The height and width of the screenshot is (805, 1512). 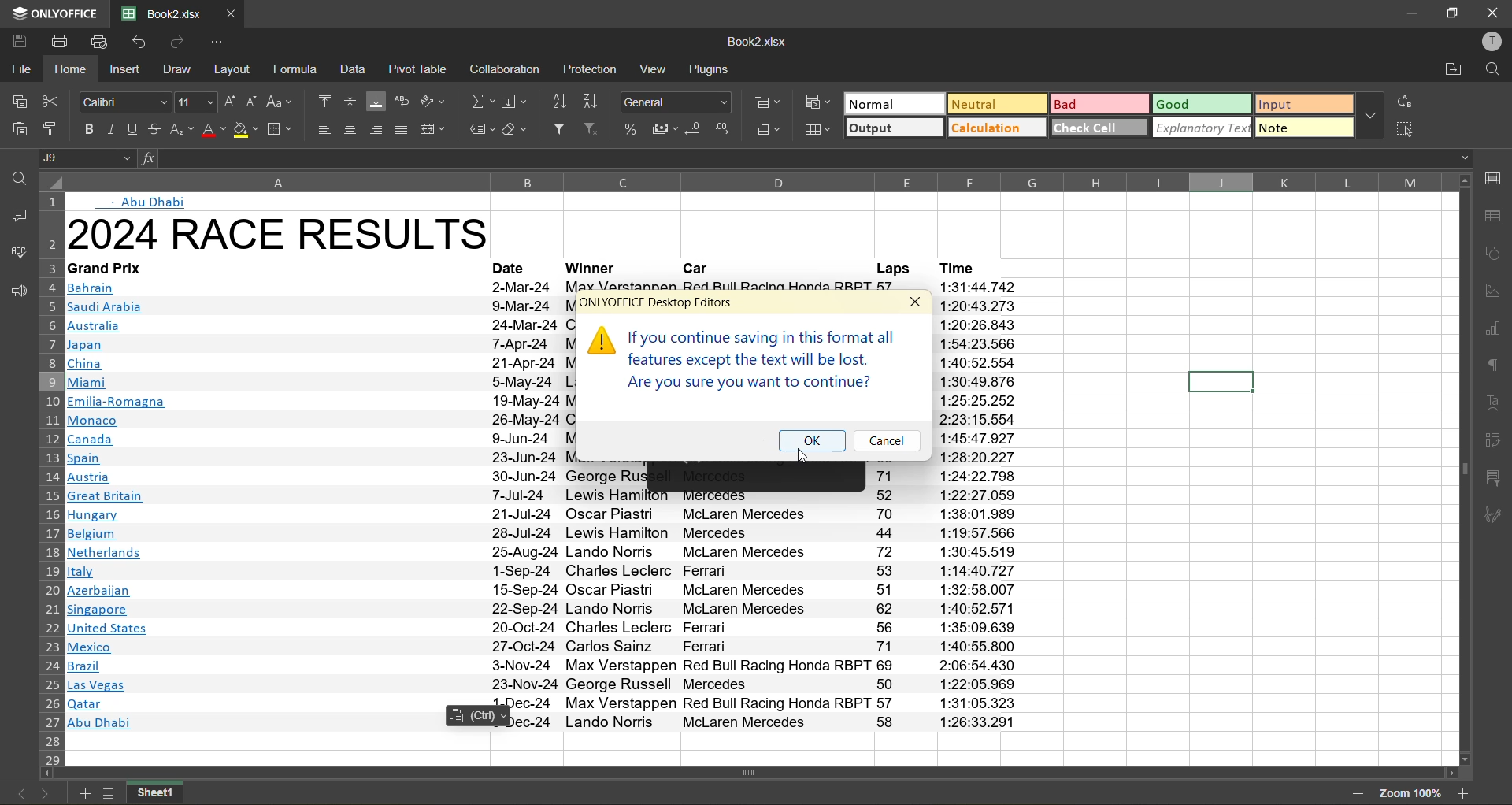 What do you see at coordinates (800, 457) in the screenshot?
I see `Cursor` at bounding box center [800, 457].